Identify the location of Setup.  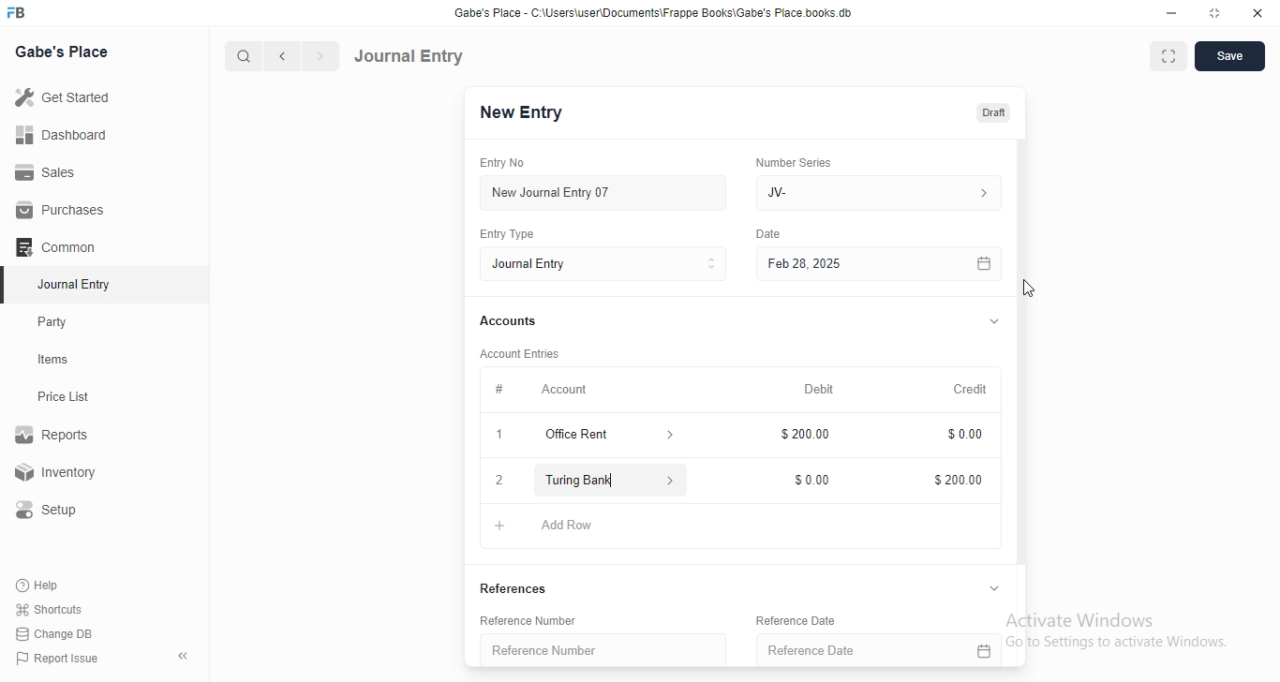
(54, 510).